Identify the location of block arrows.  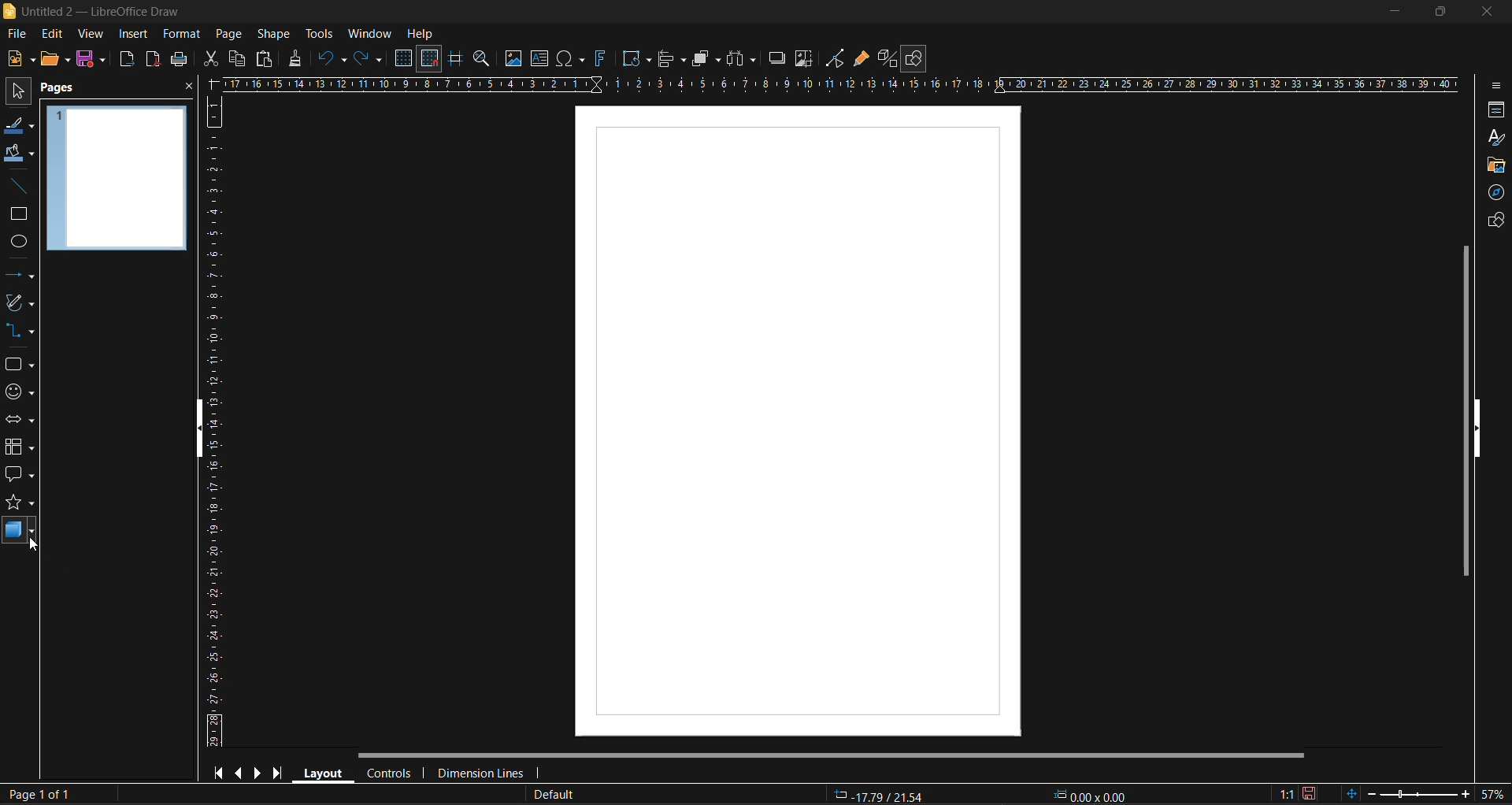
(20, 421).